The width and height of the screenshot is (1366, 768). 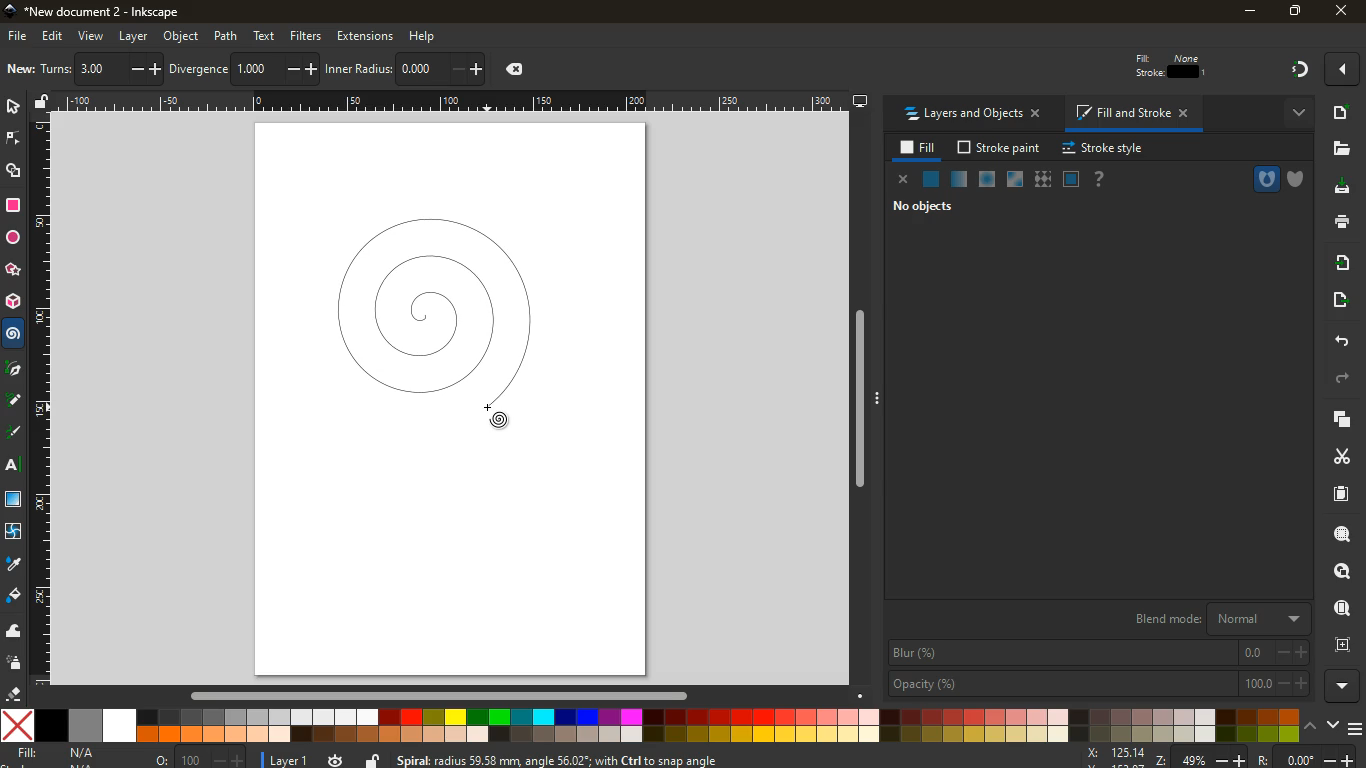 What do you see at coordinates (866, 403) in the screenshot?
I see `` at bounding box center [866, 403].